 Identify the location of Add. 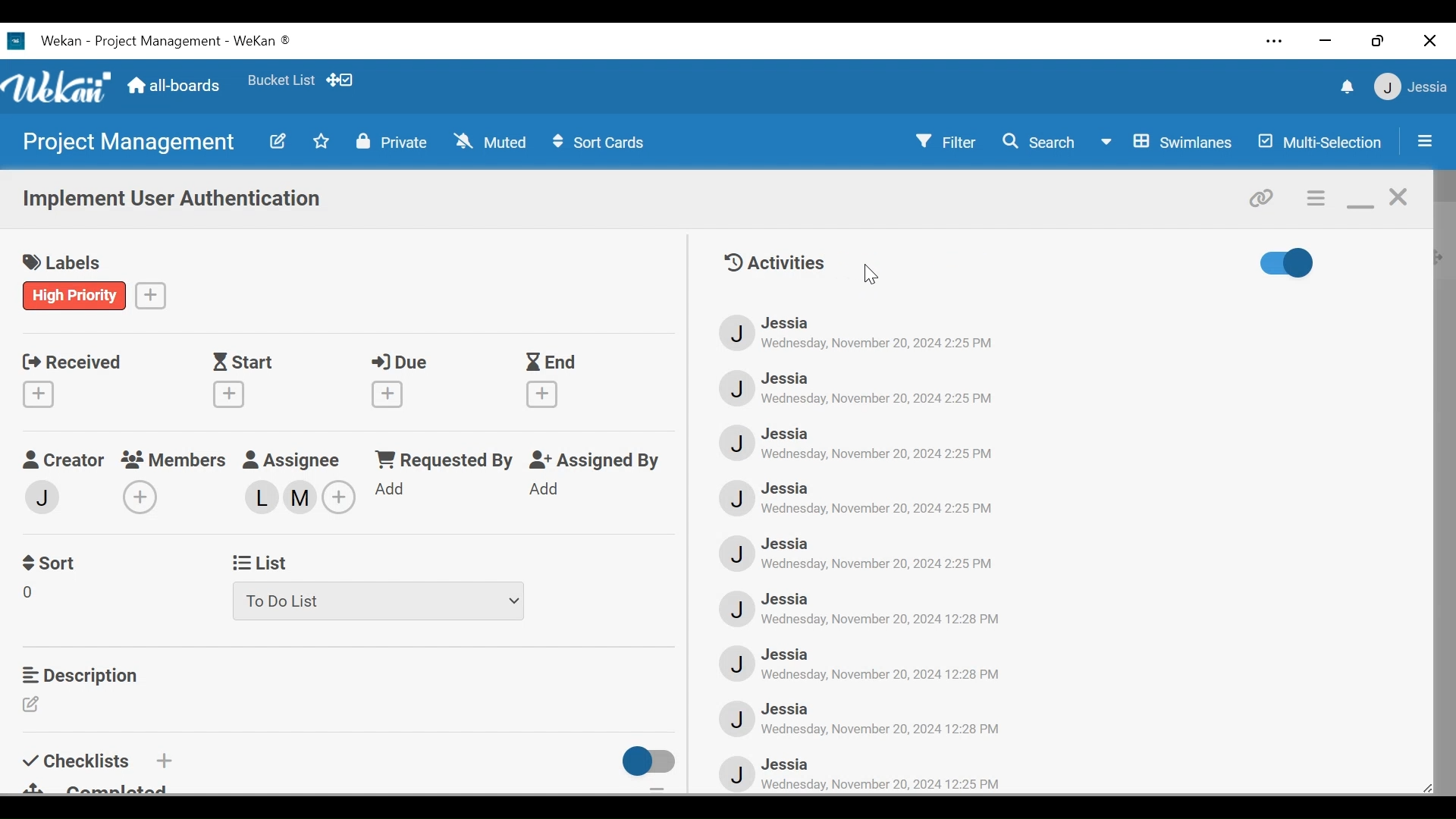
(392, 488).